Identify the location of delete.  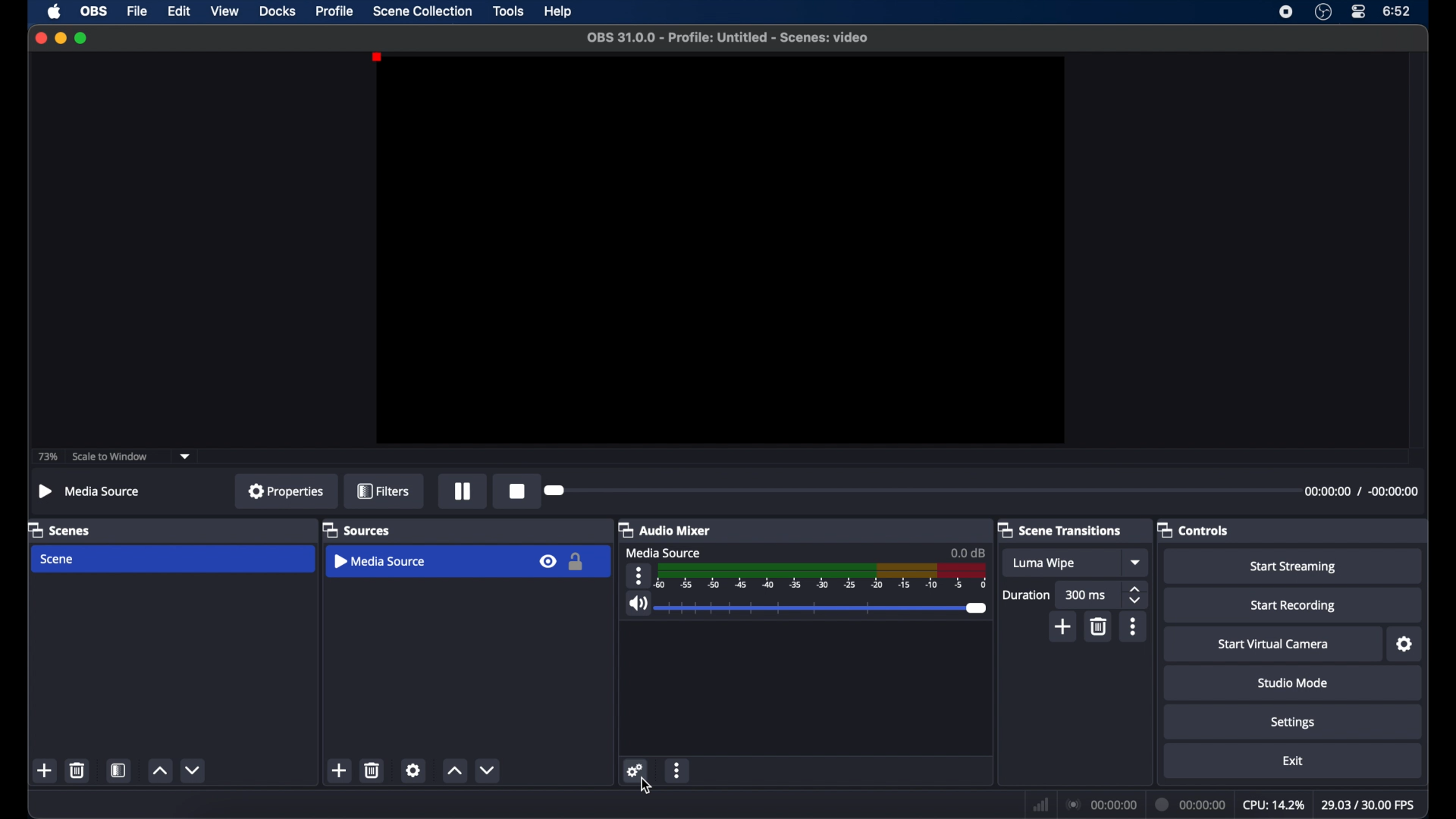
(1097, 627).